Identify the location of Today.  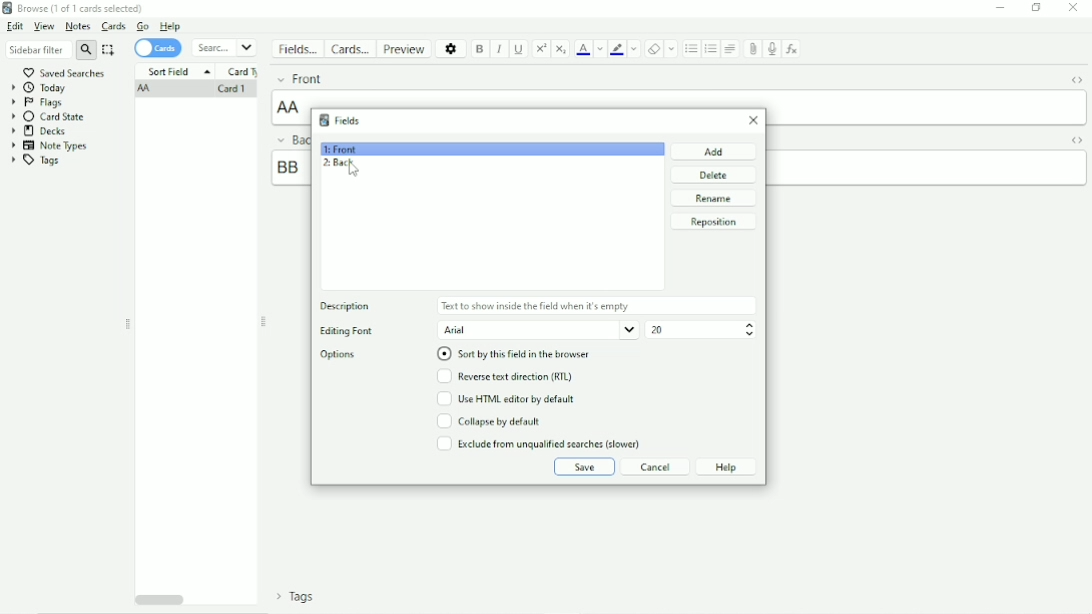
(40, 88).